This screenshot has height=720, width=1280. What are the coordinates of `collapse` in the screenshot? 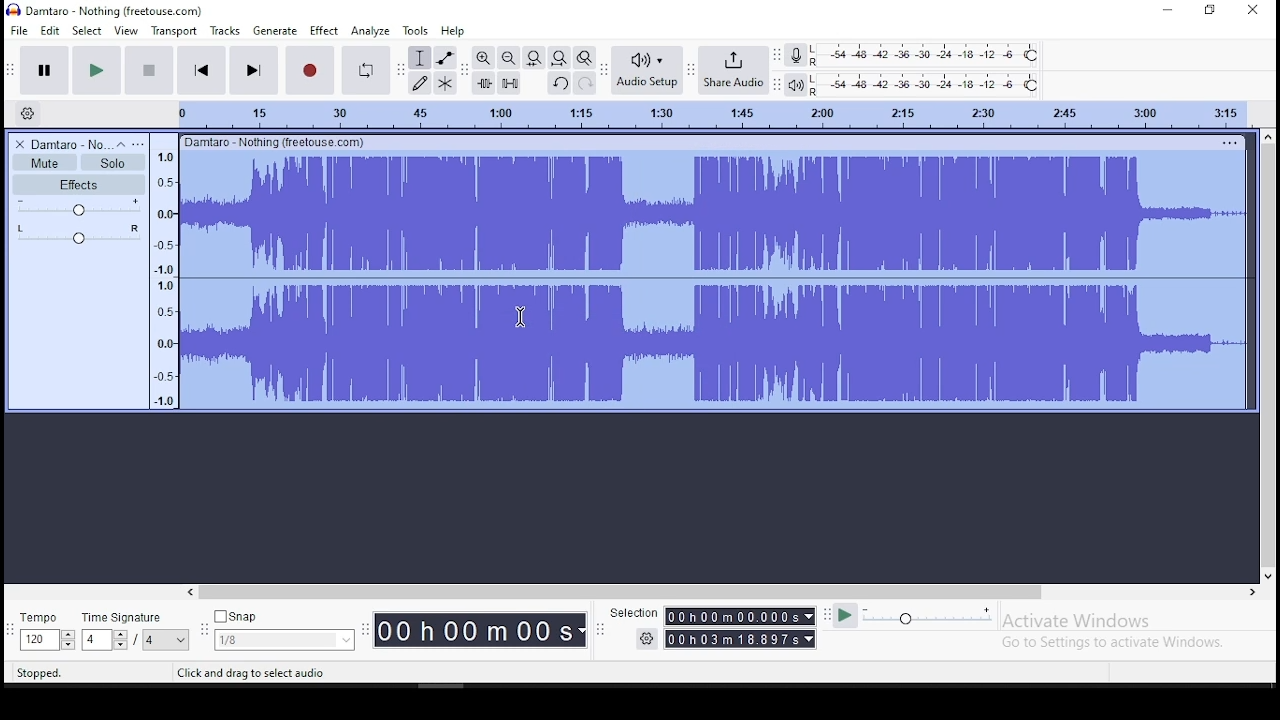 It's located at (121, 144).